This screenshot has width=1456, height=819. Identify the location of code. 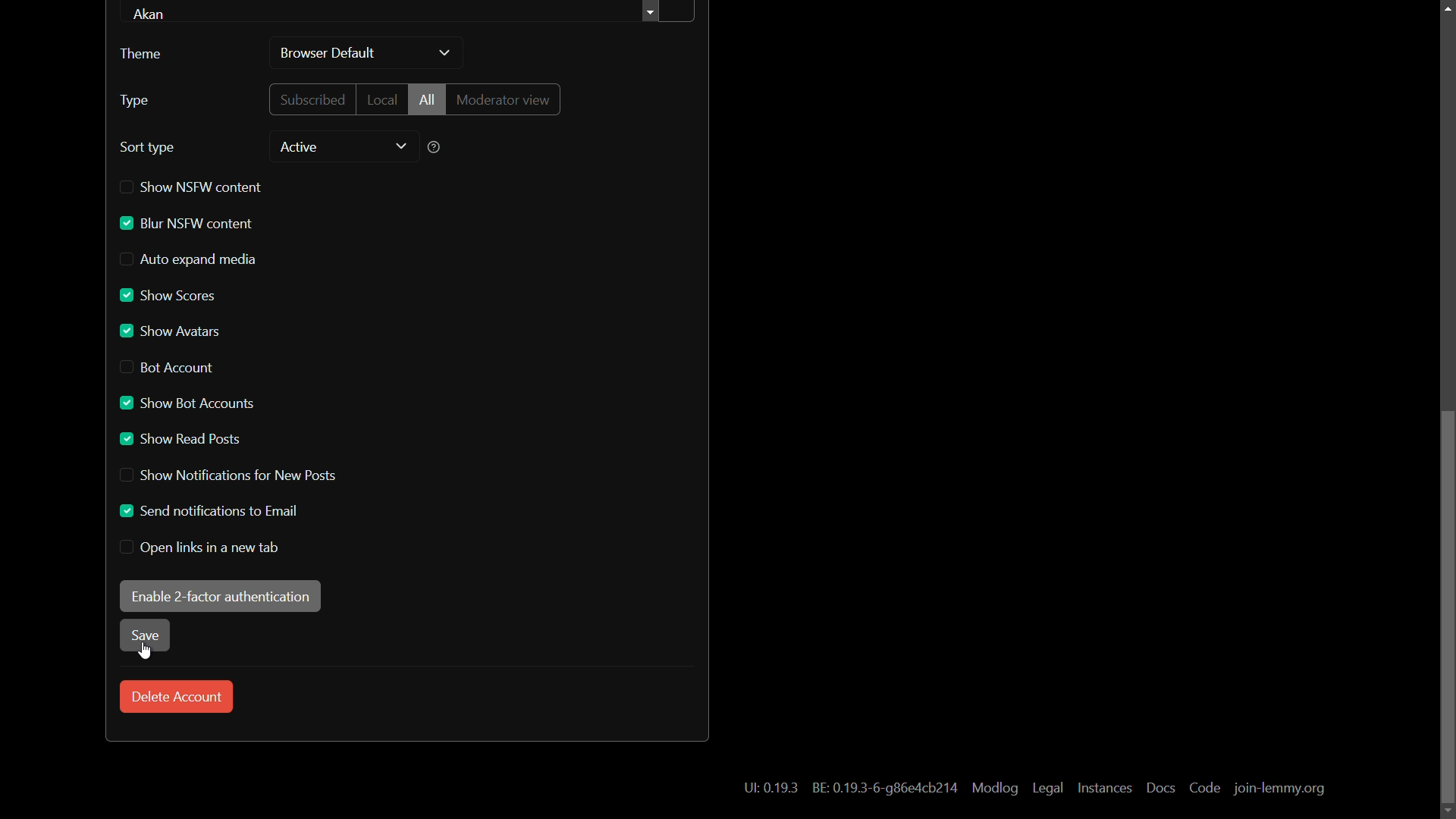
(1205, 789).